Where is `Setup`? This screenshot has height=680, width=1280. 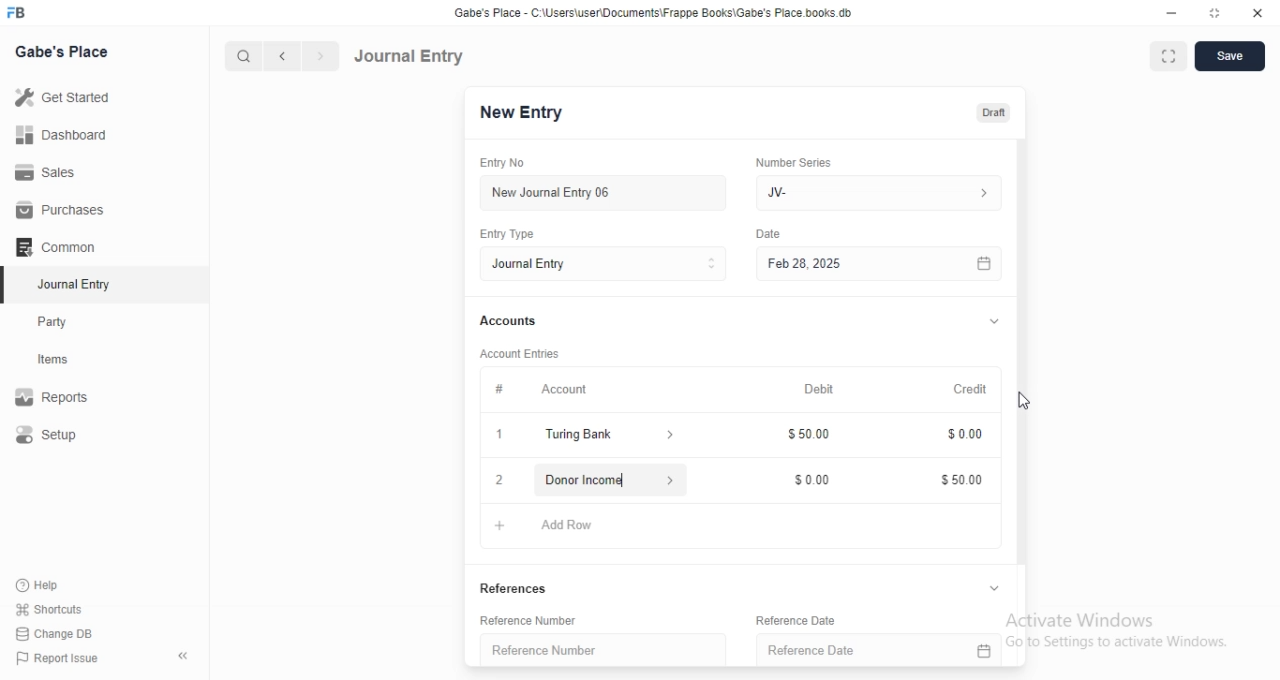
Setup is located at coordinates (66, 436).